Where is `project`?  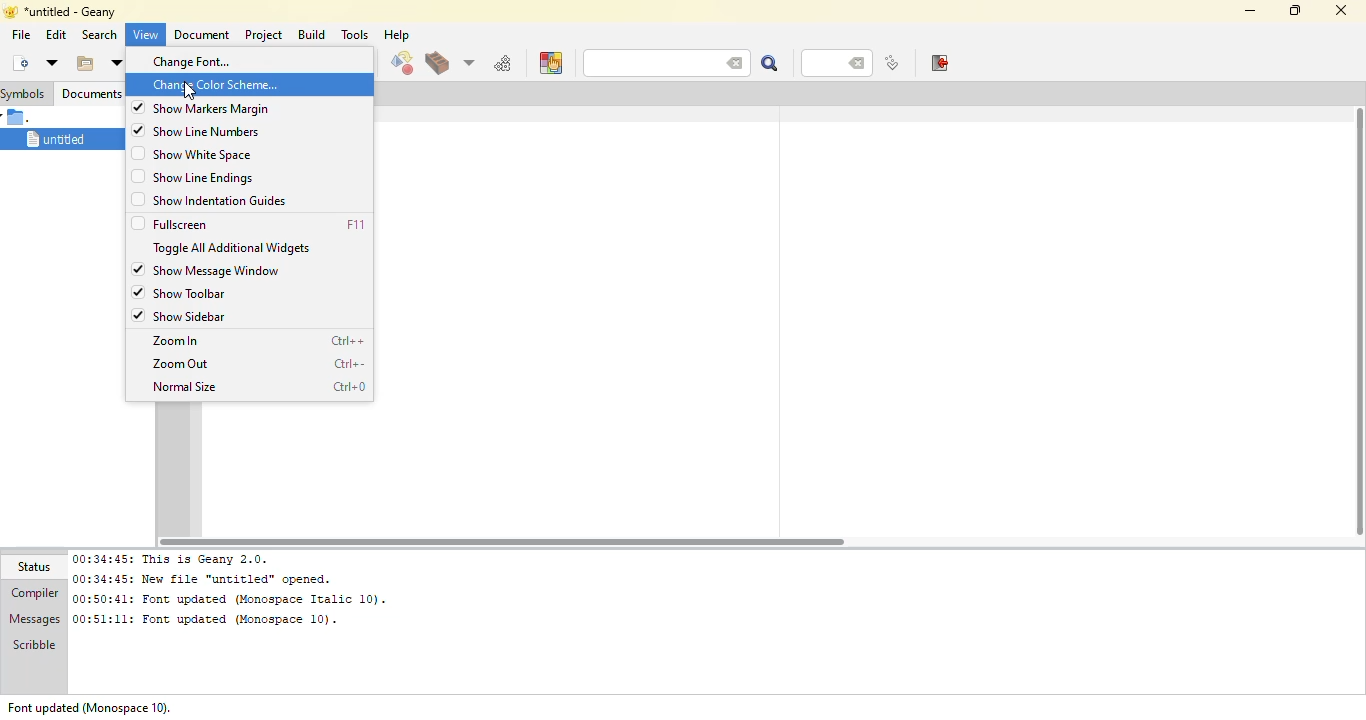
project is located at coordinates (263, 34).